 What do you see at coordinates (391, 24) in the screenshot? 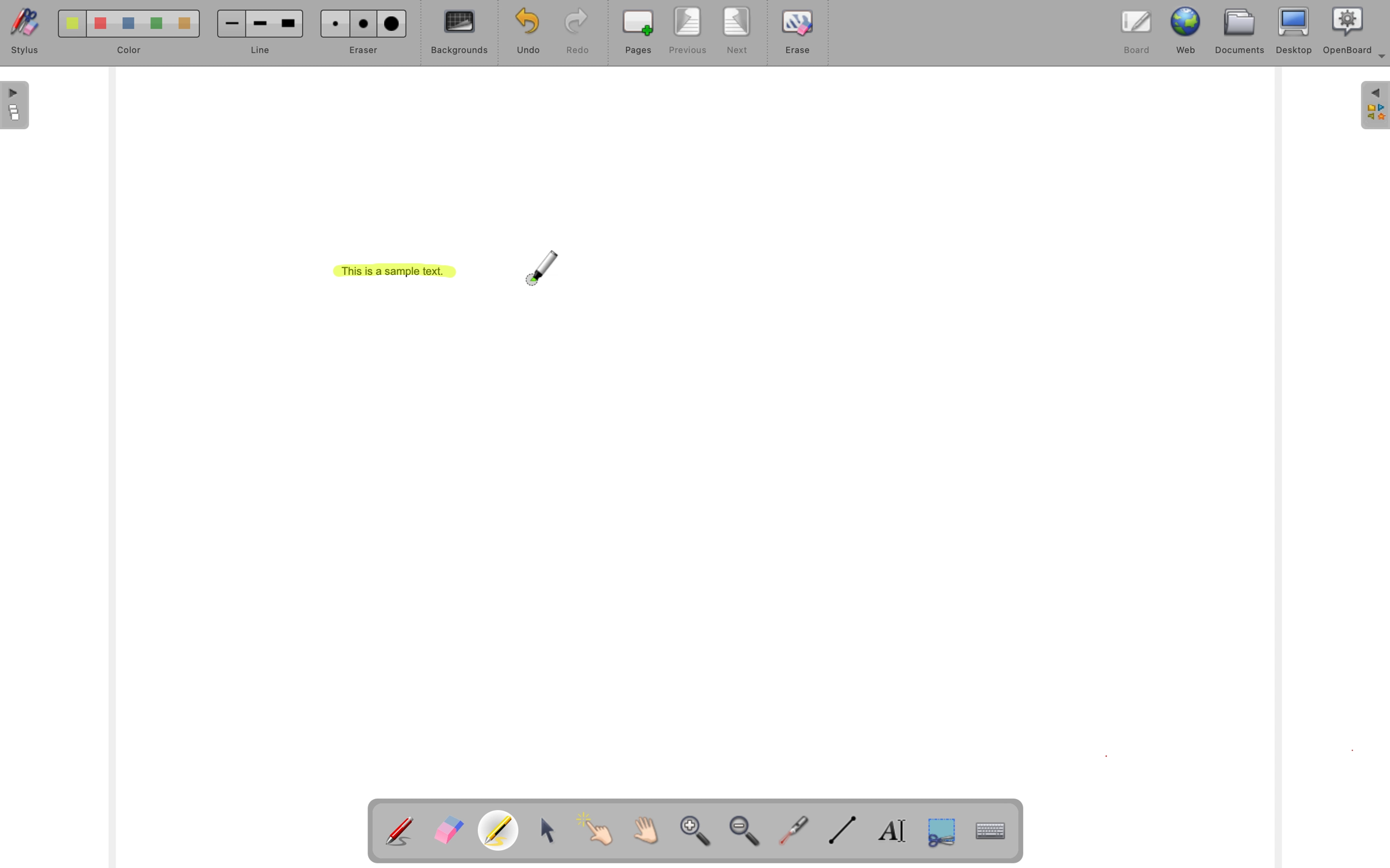
I see `Large Eraser` at bounding box center [391, 24].